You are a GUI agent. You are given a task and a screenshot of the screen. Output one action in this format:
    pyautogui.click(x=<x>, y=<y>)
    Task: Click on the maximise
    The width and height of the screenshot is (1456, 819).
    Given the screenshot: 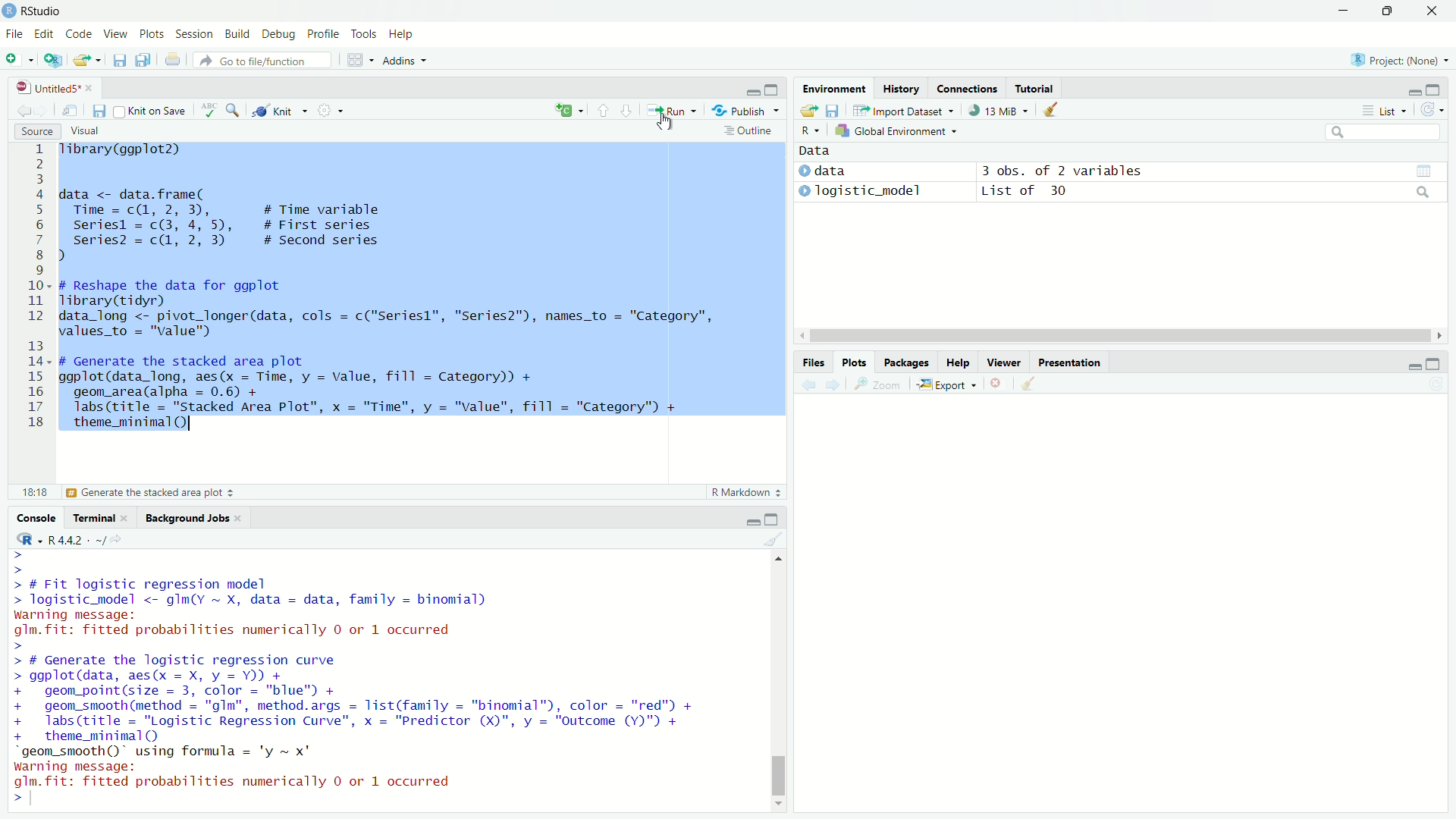 What is the action you would take?
    pyautogui.click(x=1393, y=12)
    